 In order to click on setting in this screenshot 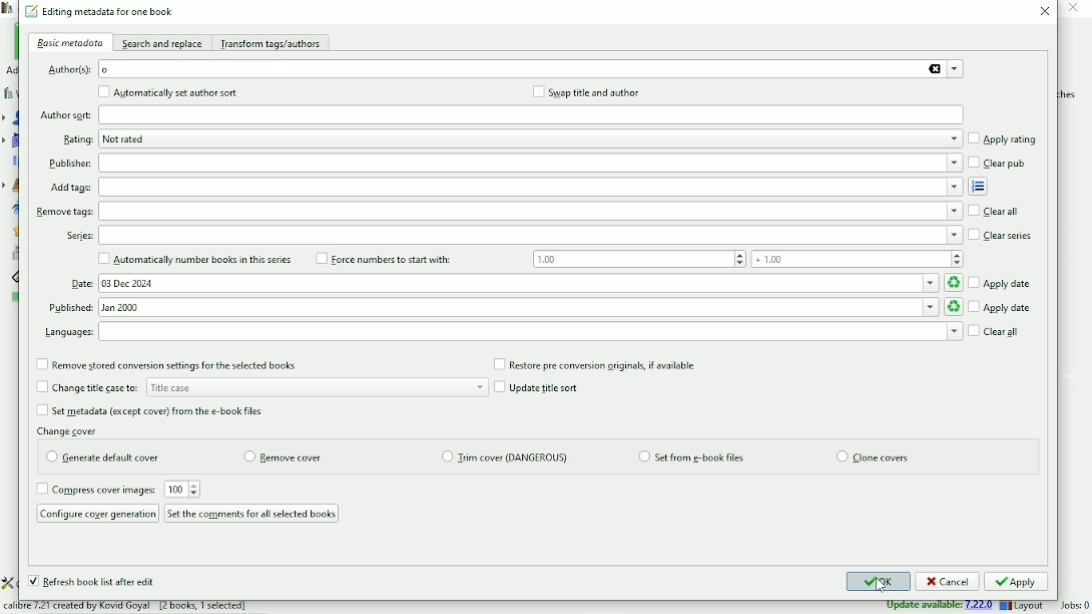, I will do `click(7, 585)`.